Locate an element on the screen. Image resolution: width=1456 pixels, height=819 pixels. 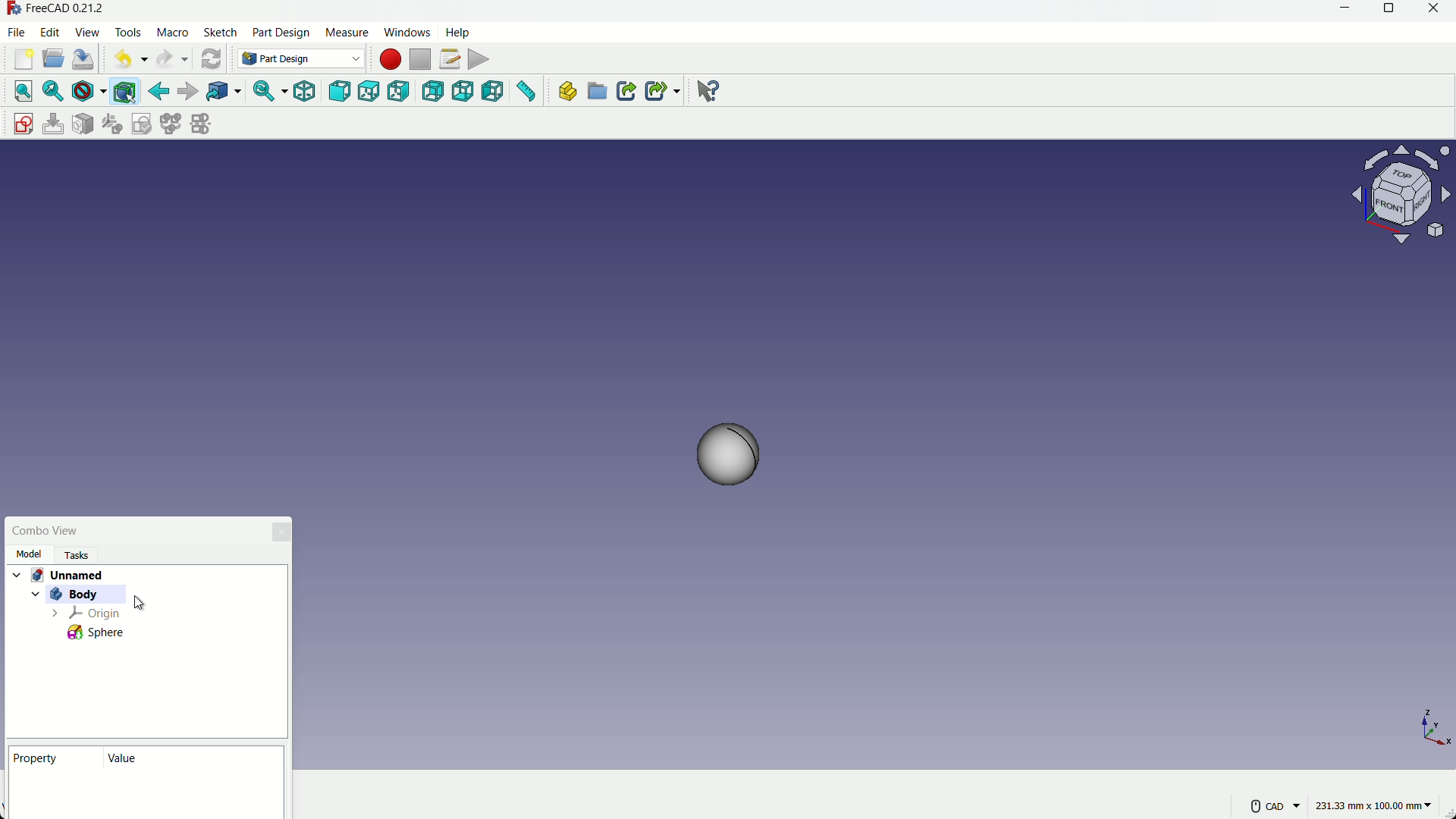
isometric view is located at coordinates (303, 91).